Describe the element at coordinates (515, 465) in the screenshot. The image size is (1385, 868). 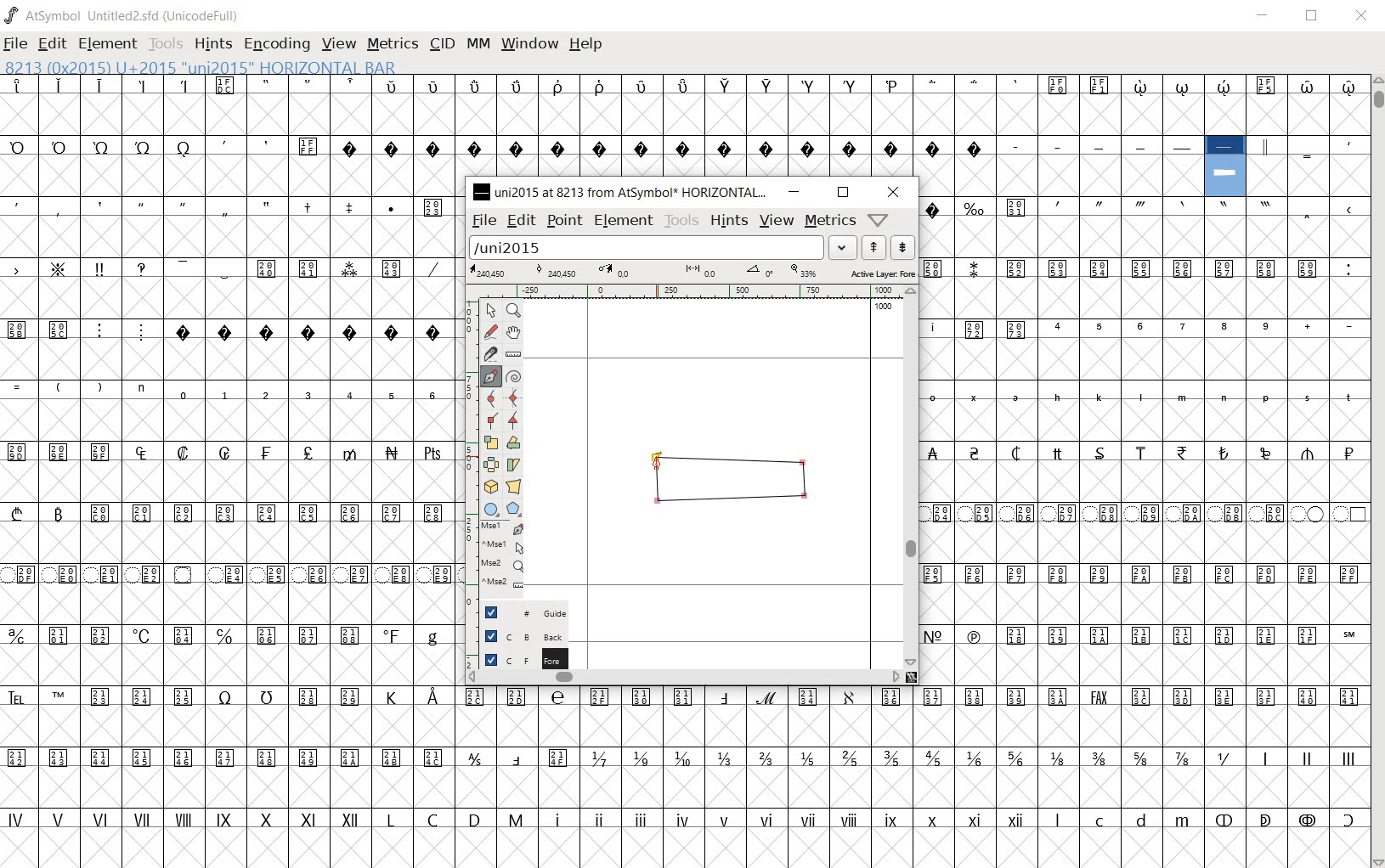
I see `Rotate the selection` at that location.